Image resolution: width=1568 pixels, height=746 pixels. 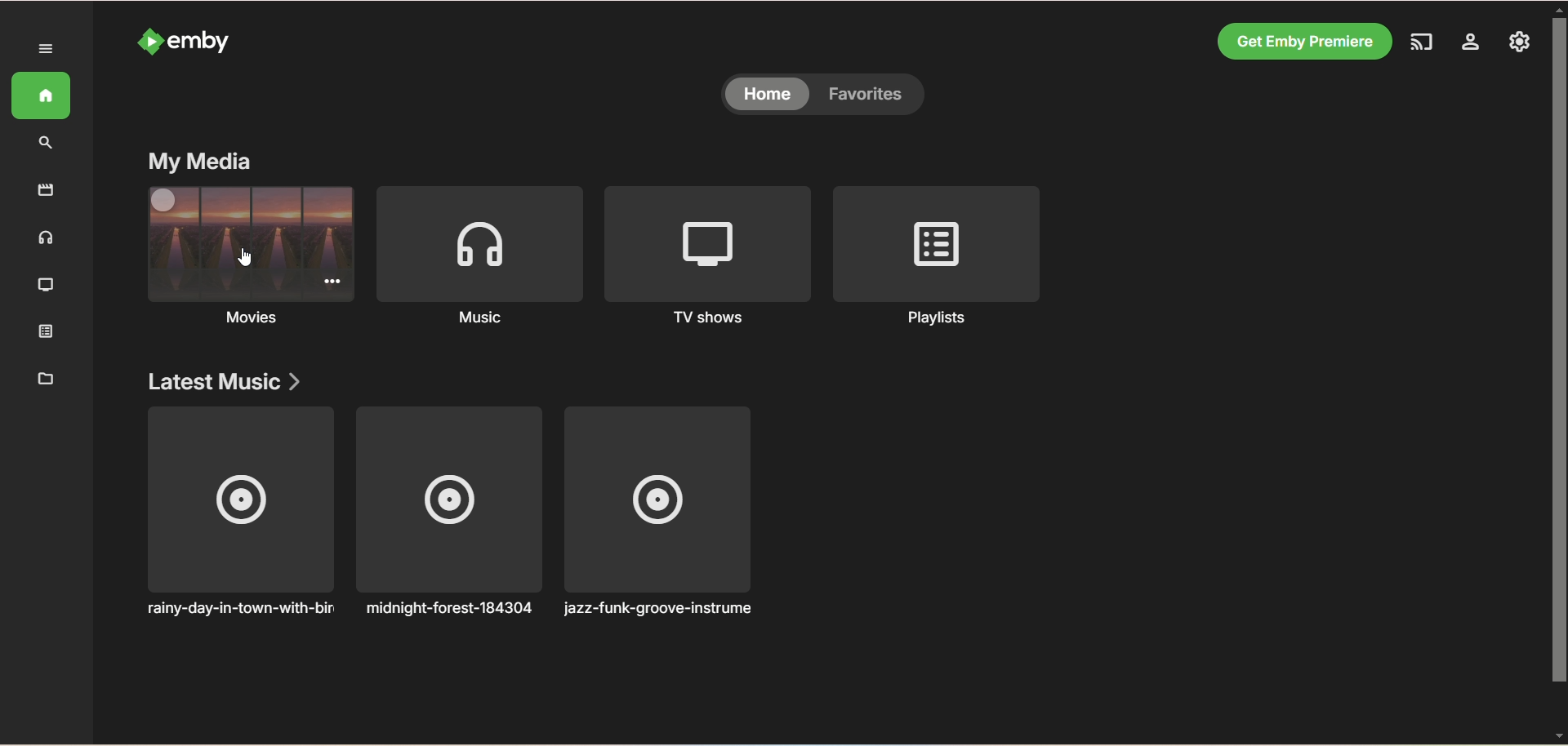 What do you see at coordinates (42, 48) in the screenshot?
I see `expand` at bounding box center [42, 48].